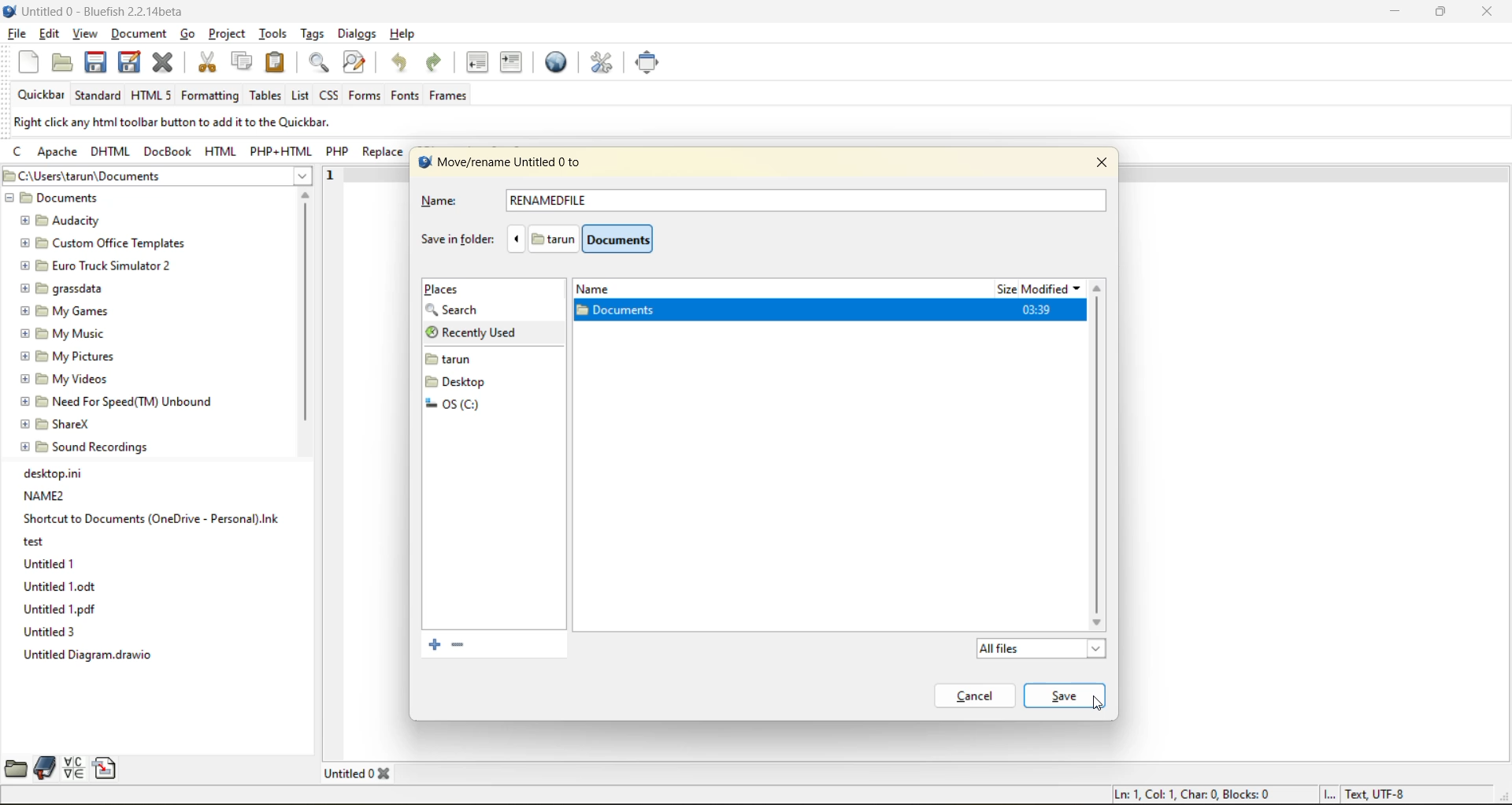 This screenshot has width=1512, height=805. I want to click on minimize, so click(1399, 9).